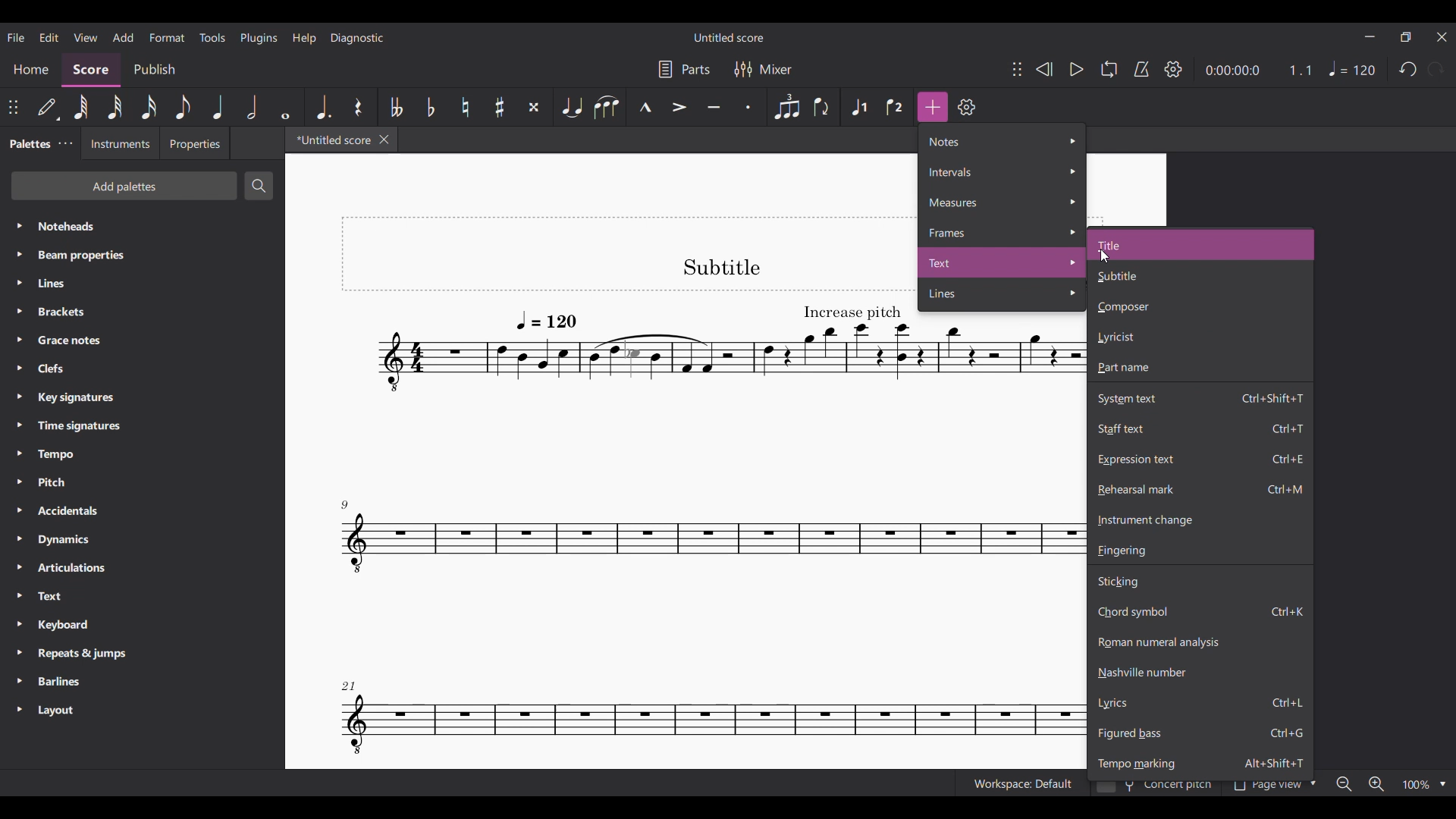  I want to click on Play, so click(1078, 69).